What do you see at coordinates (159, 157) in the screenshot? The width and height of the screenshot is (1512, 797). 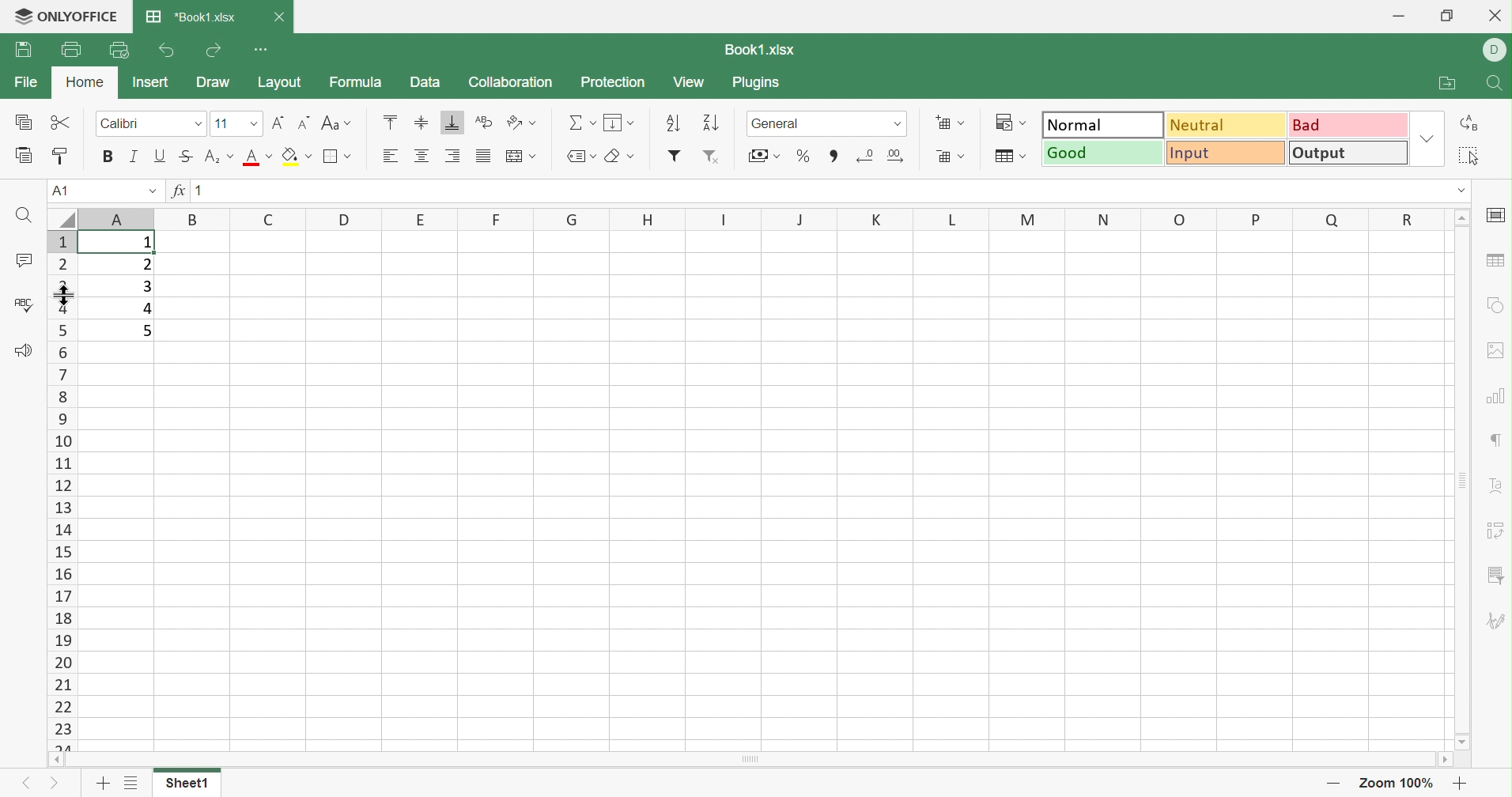 I see `Underline` at bounding box center [159, 157].